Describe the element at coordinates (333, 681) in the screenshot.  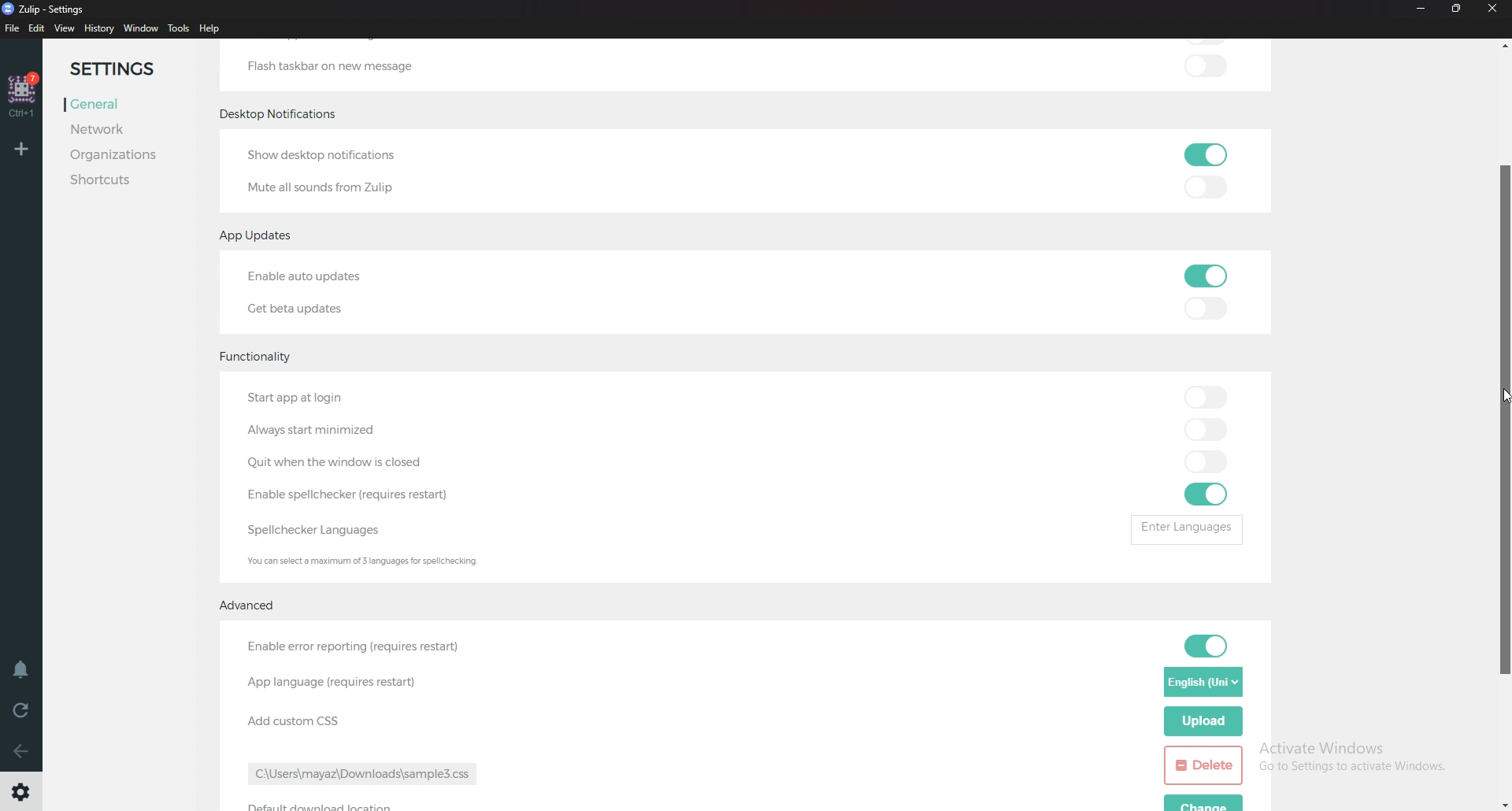
I see `App language` at that location.